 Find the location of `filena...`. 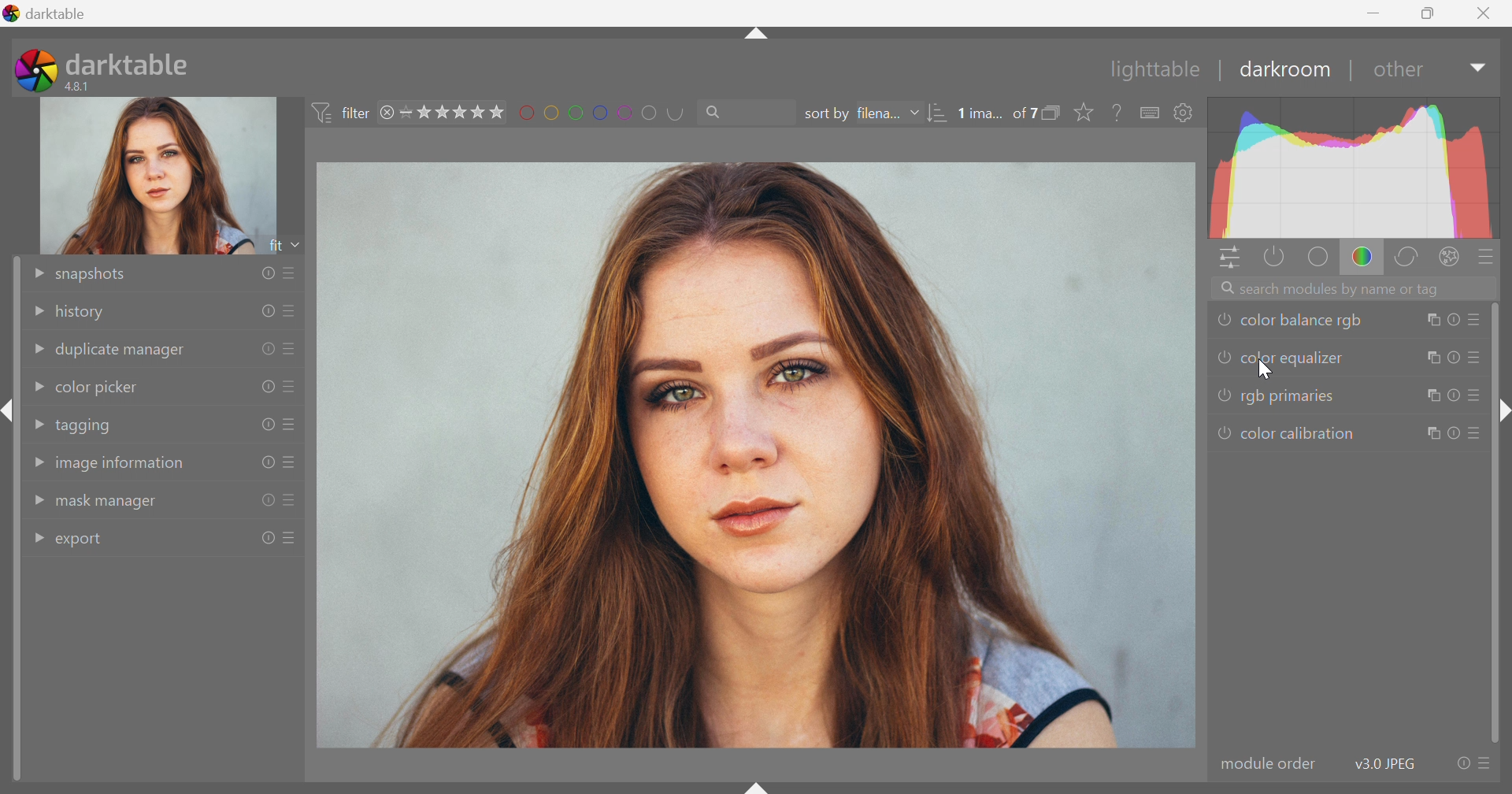

filena... is located at coordinates (880, 112).